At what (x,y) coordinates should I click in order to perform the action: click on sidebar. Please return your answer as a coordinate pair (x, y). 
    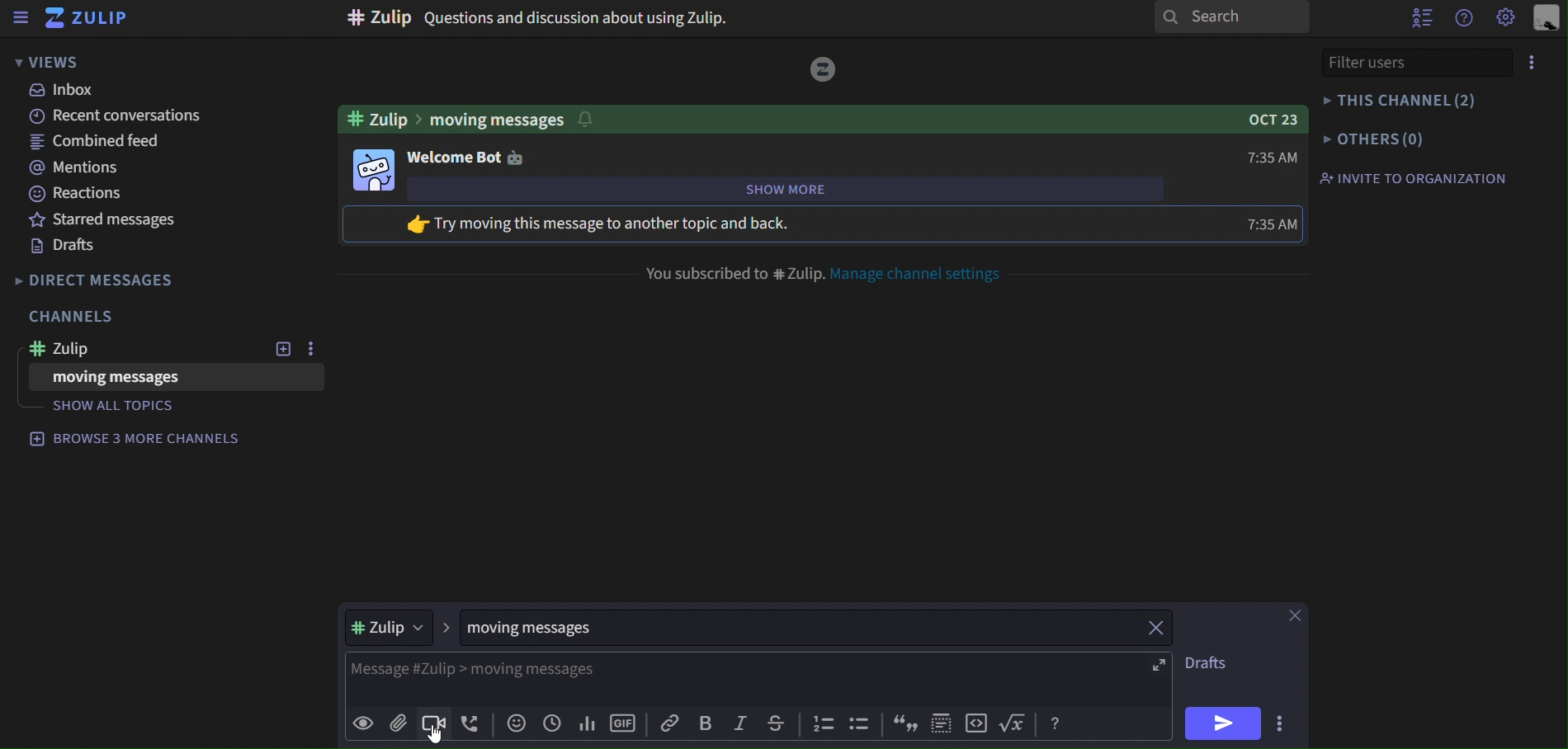
    Looking at the image, I should click on (20, 18).